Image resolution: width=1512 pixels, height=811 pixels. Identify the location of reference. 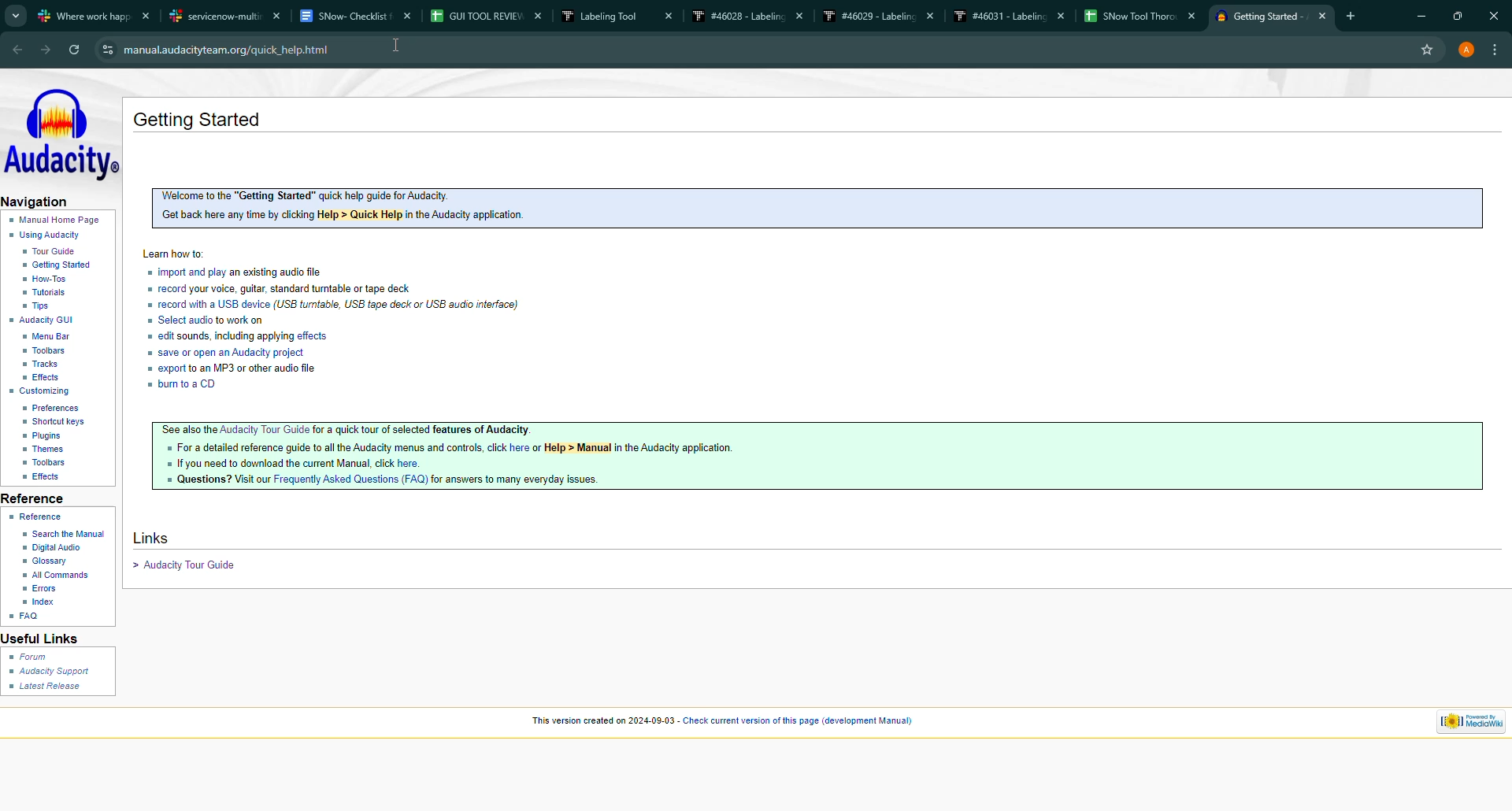
(35, 498).